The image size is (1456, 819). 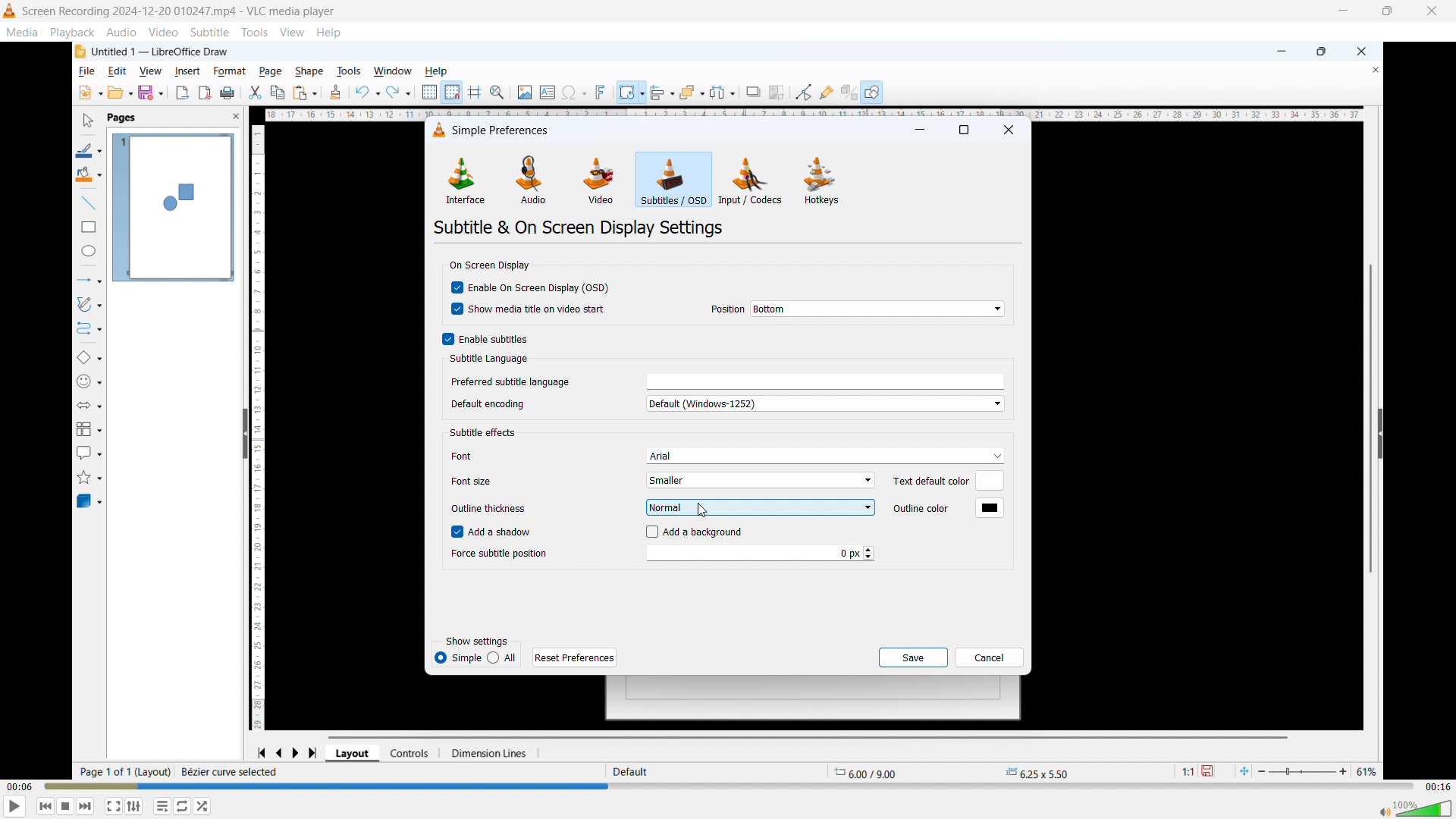 I want to click on Tools , so click(x=255, y=32).